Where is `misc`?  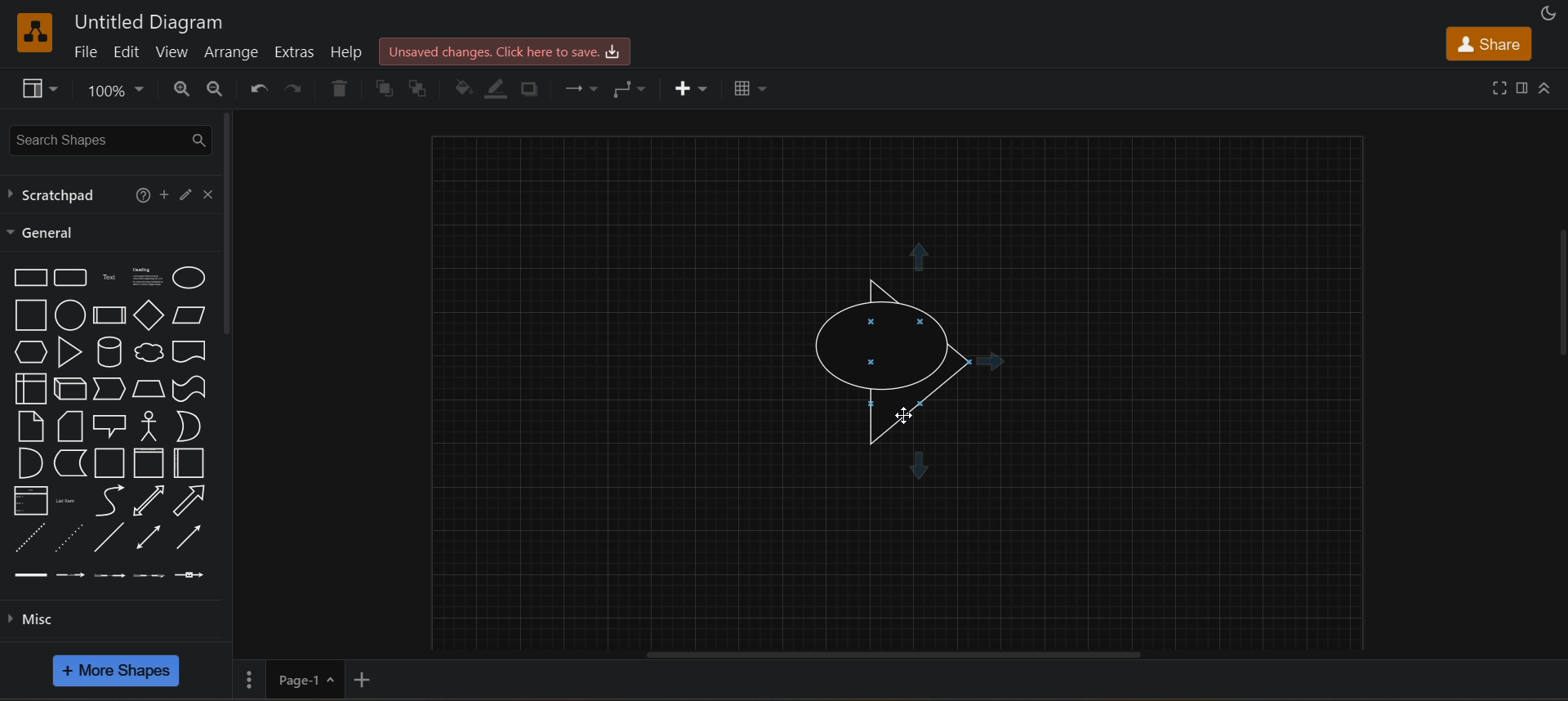 misc is located at coordinates (42, 620).